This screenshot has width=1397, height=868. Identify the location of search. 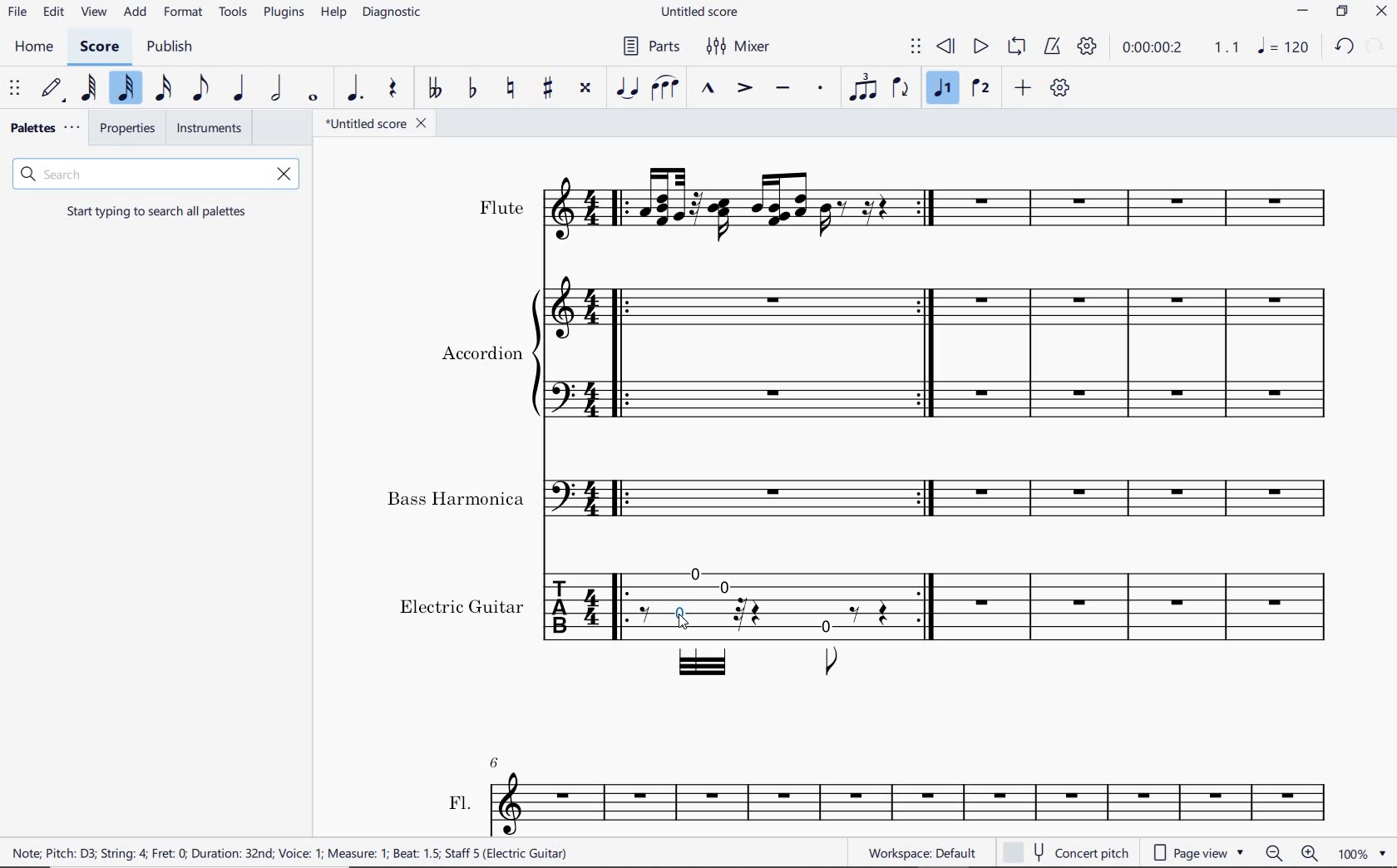
(136, 175).